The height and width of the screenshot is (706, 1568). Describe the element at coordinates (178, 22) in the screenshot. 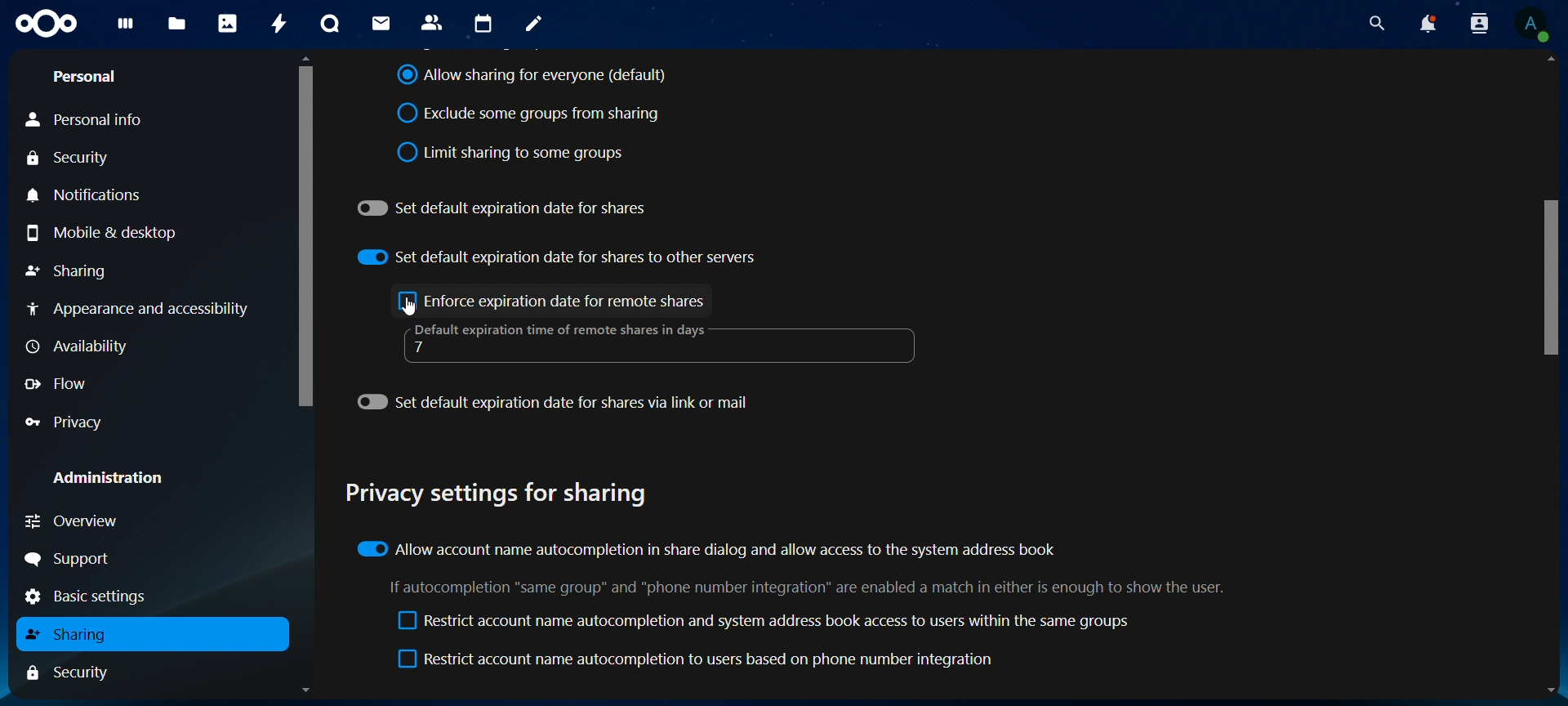

I see `files` at that location.